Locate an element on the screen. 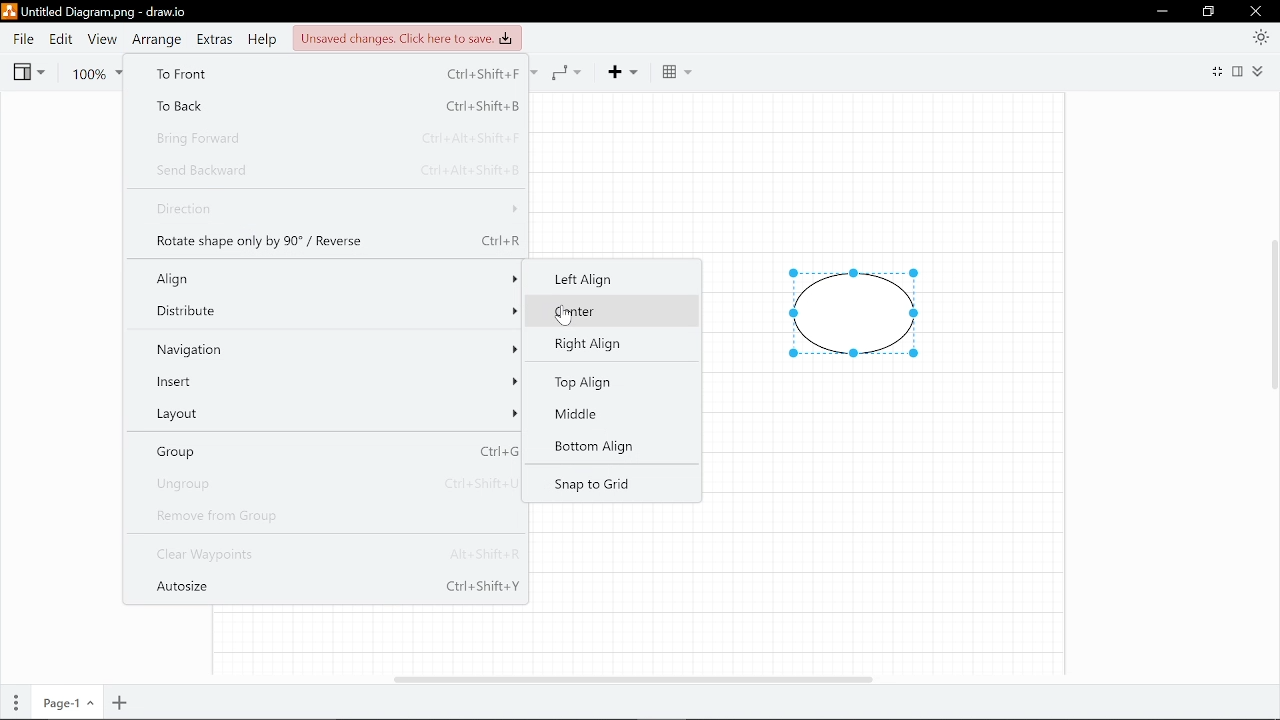 This screenshot has width=1280, height=720. Send Backward is located at coordinates (335, 168).